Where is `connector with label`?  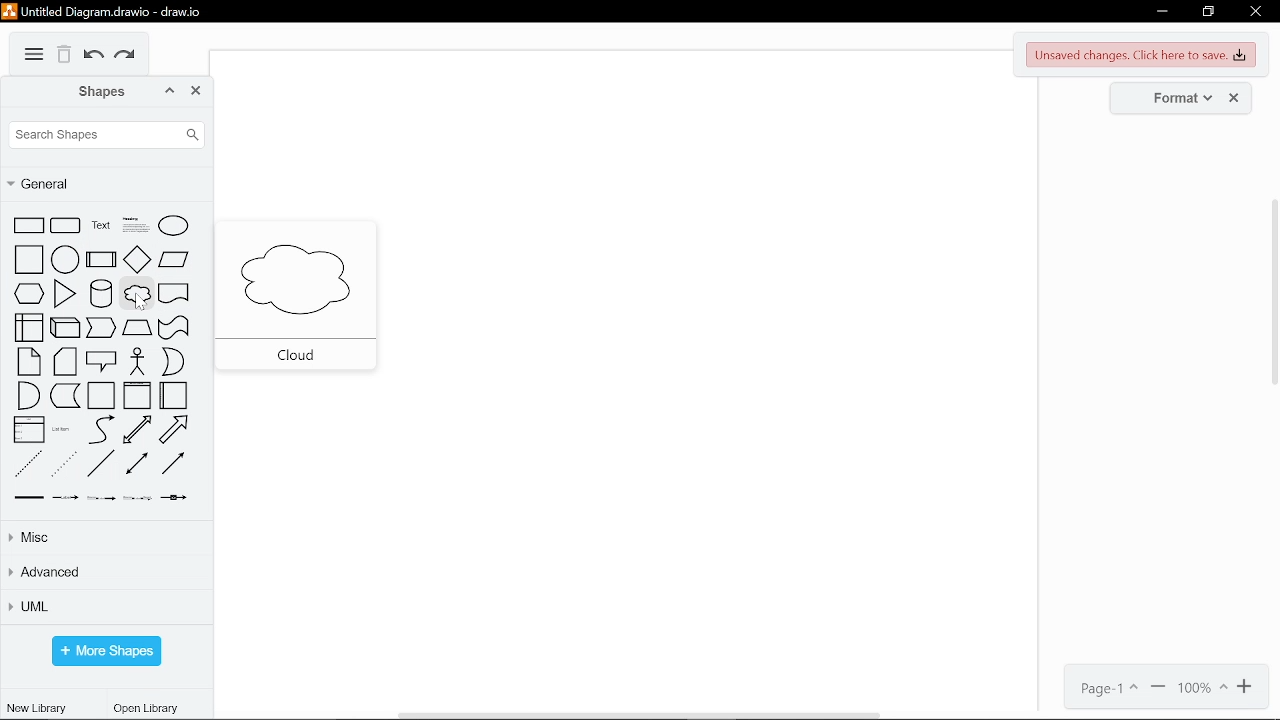 connector with label is located at coordinates (66, 497).